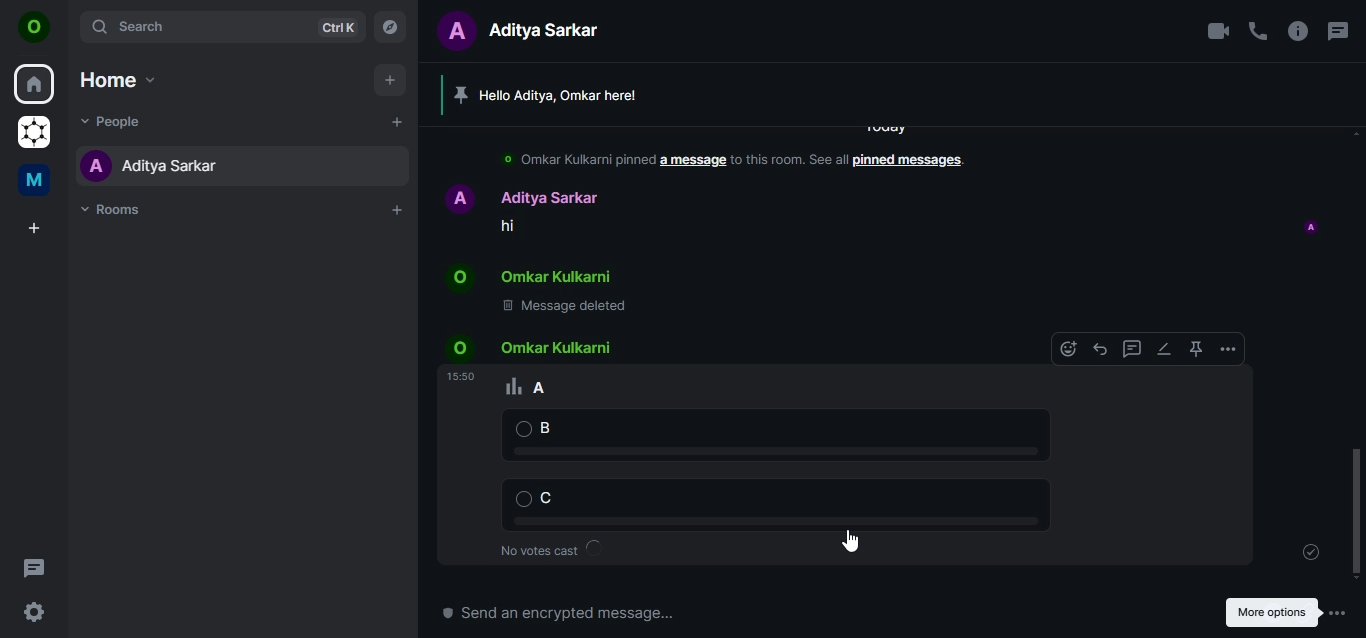  I want to click on me, so click(37, 183).